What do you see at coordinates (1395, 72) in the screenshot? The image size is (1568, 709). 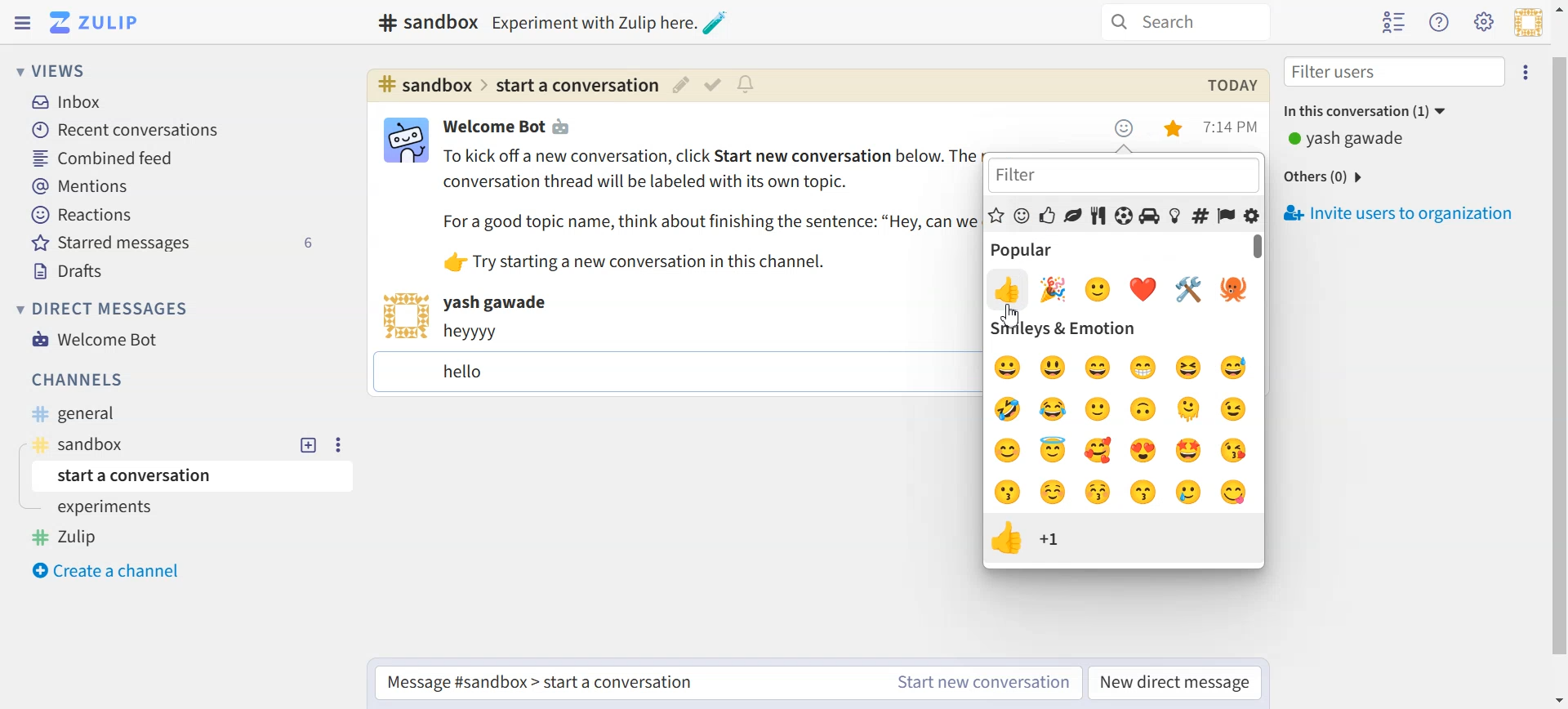 I see `Filter users` at bounding box center [1395, 72].